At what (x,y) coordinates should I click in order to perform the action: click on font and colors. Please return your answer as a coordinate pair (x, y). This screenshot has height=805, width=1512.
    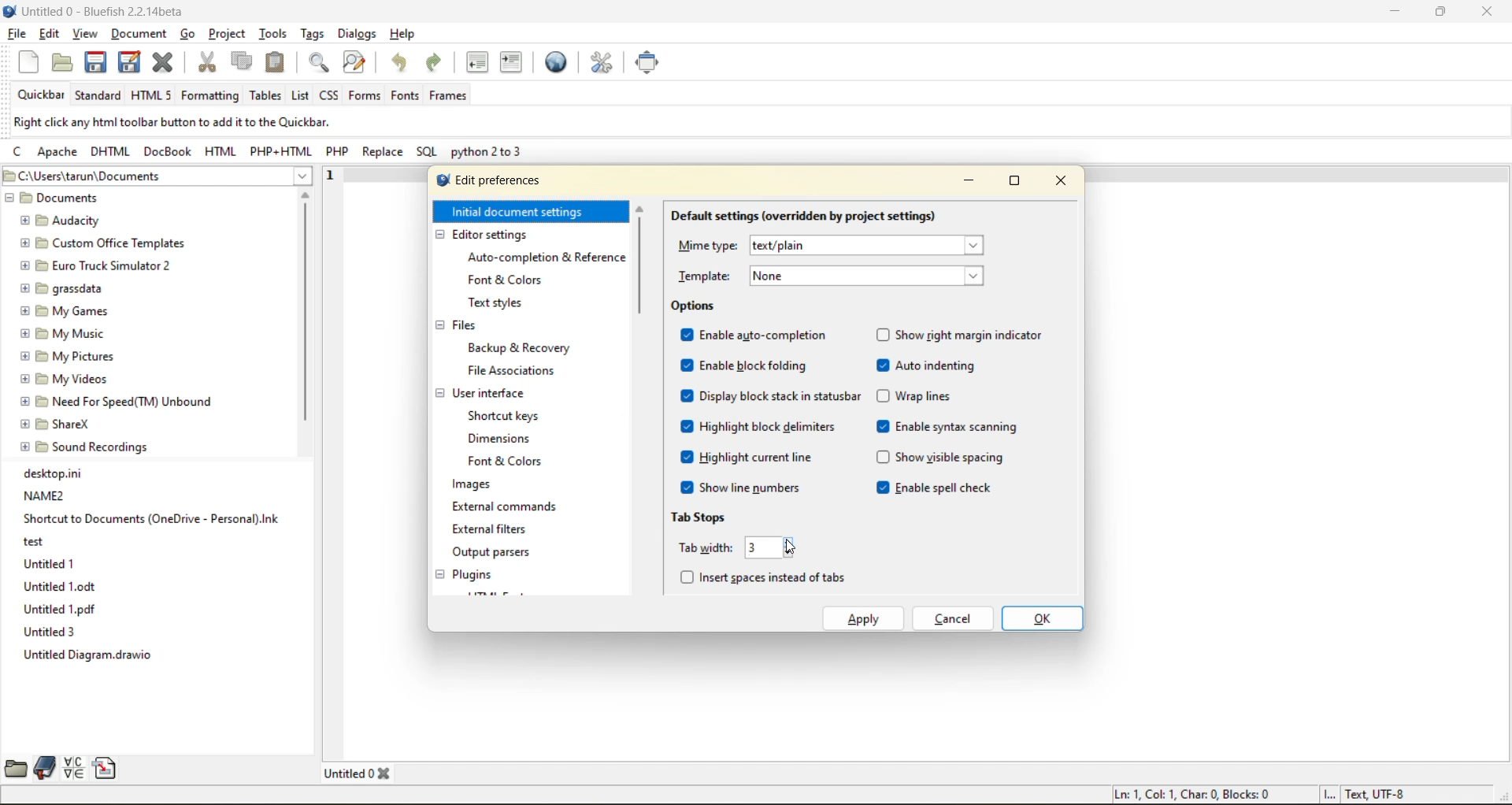
    Looking at the image, I should click on (508, 279).